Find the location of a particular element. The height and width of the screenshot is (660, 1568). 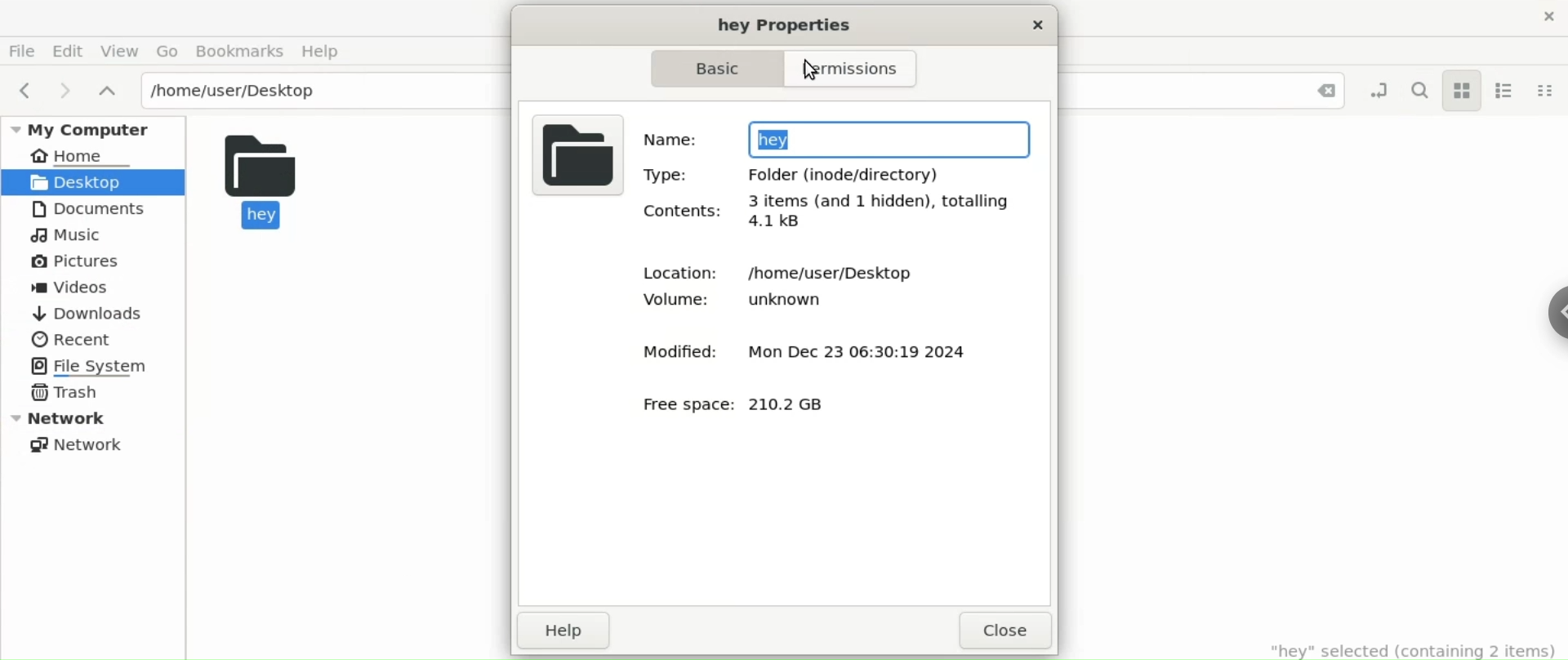

Home is located at coordinates (105, 154).